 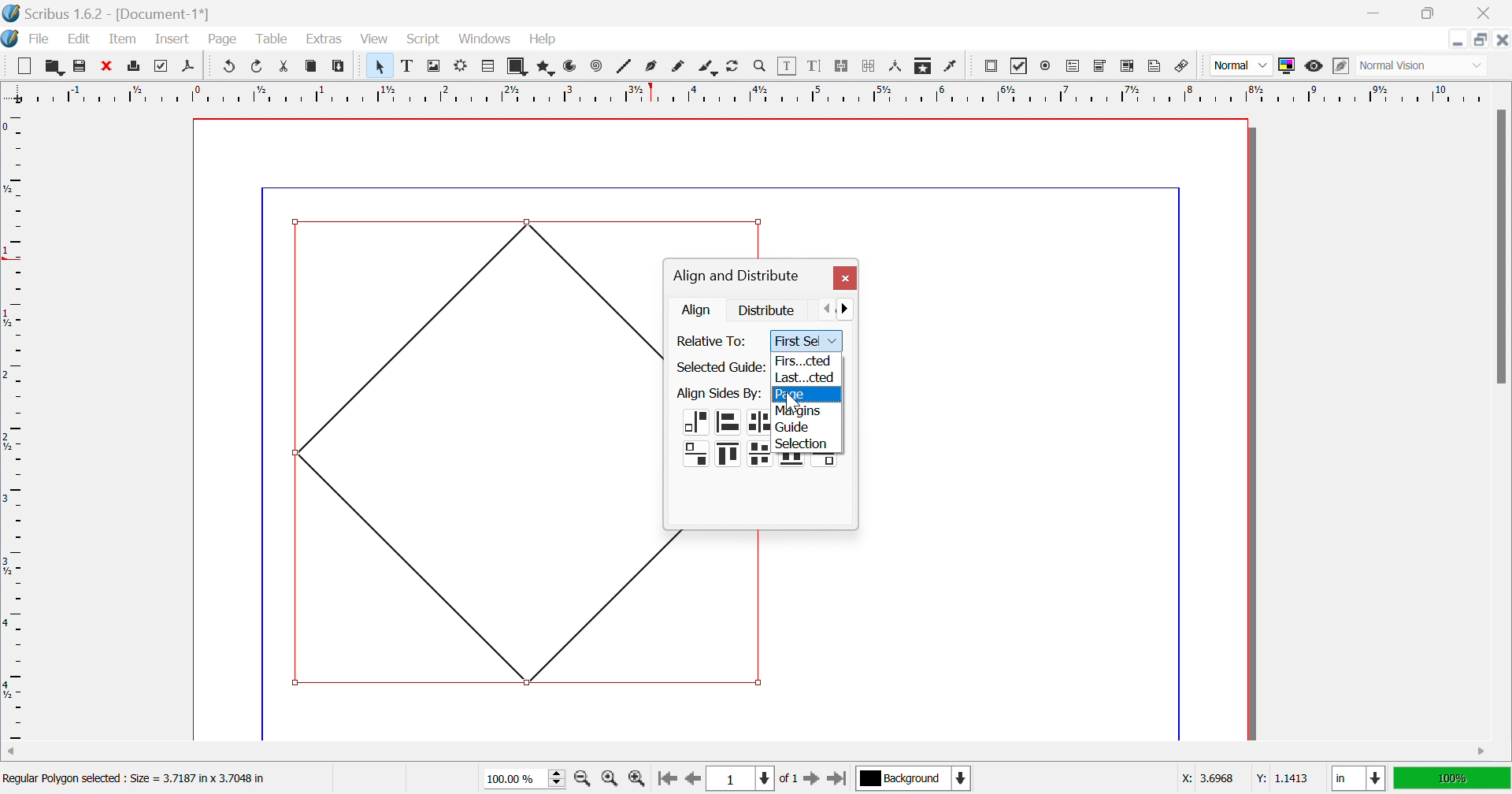 I want to click on Margins, so click(x=798, y=412).